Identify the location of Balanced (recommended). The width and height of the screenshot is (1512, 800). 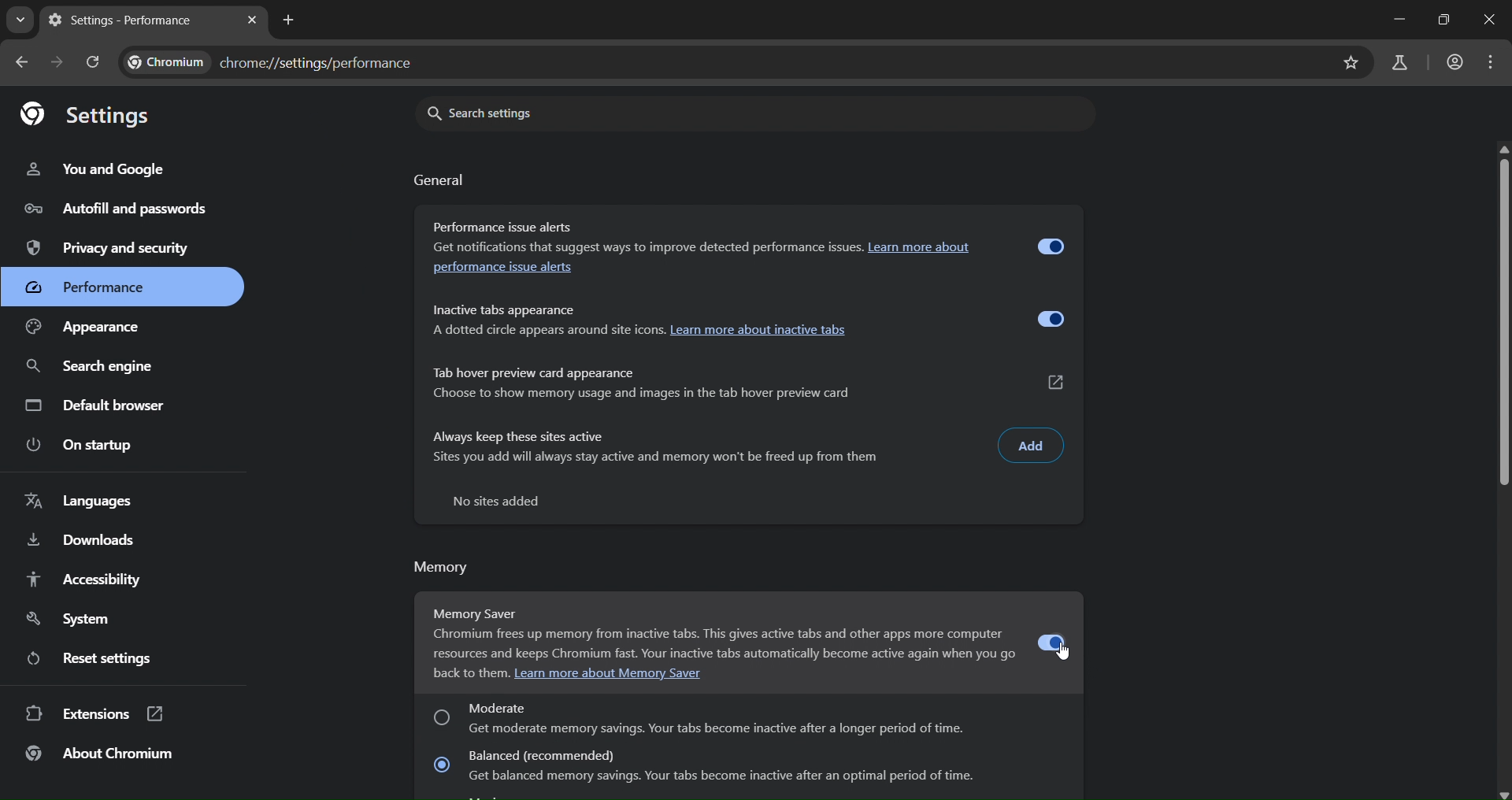
(741, 772).